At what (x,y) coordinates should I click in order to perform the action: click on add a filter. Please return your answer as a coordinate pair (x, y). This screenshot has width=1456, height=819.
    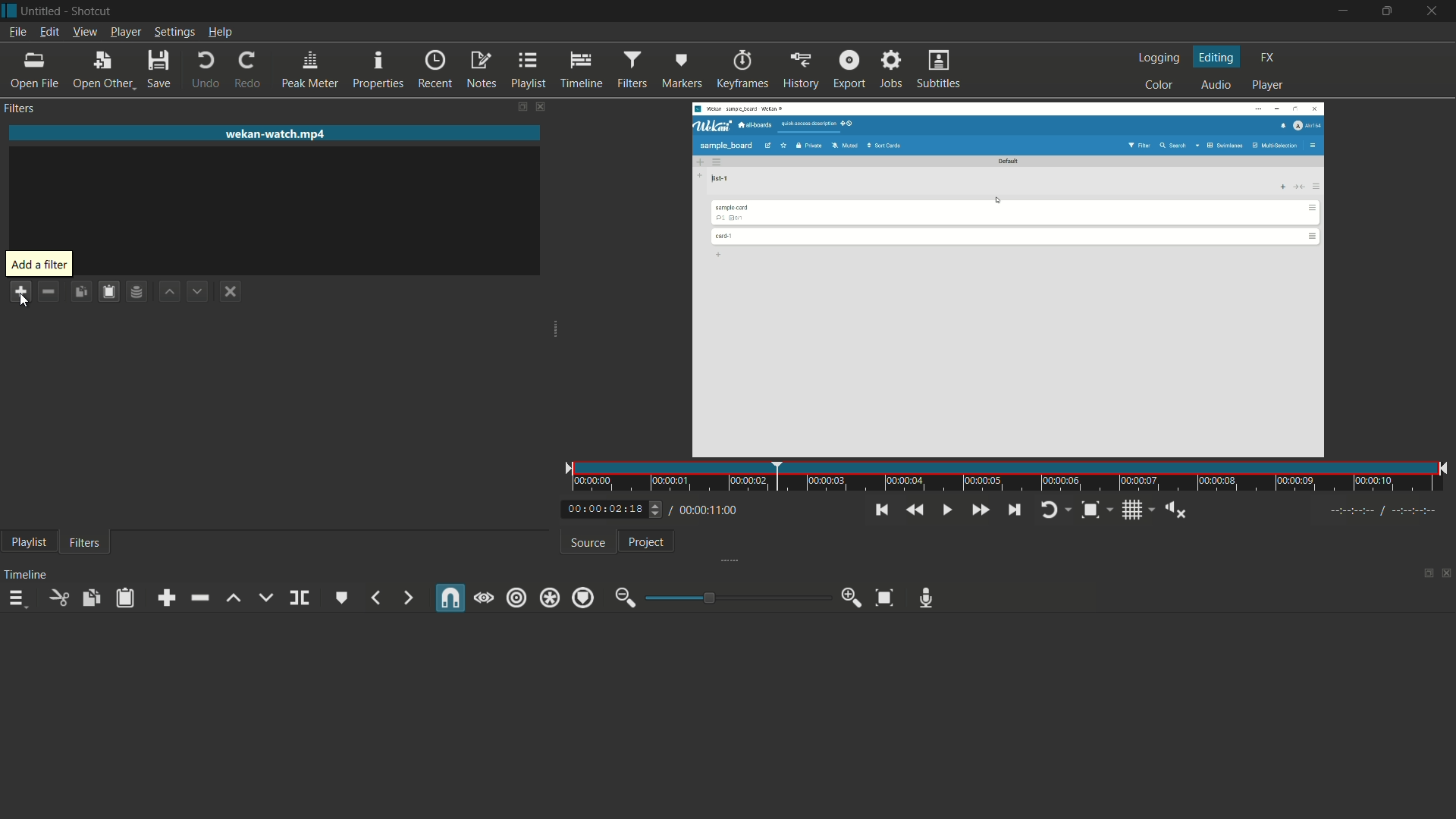
    Looking at the image, I should click on (20, 291).